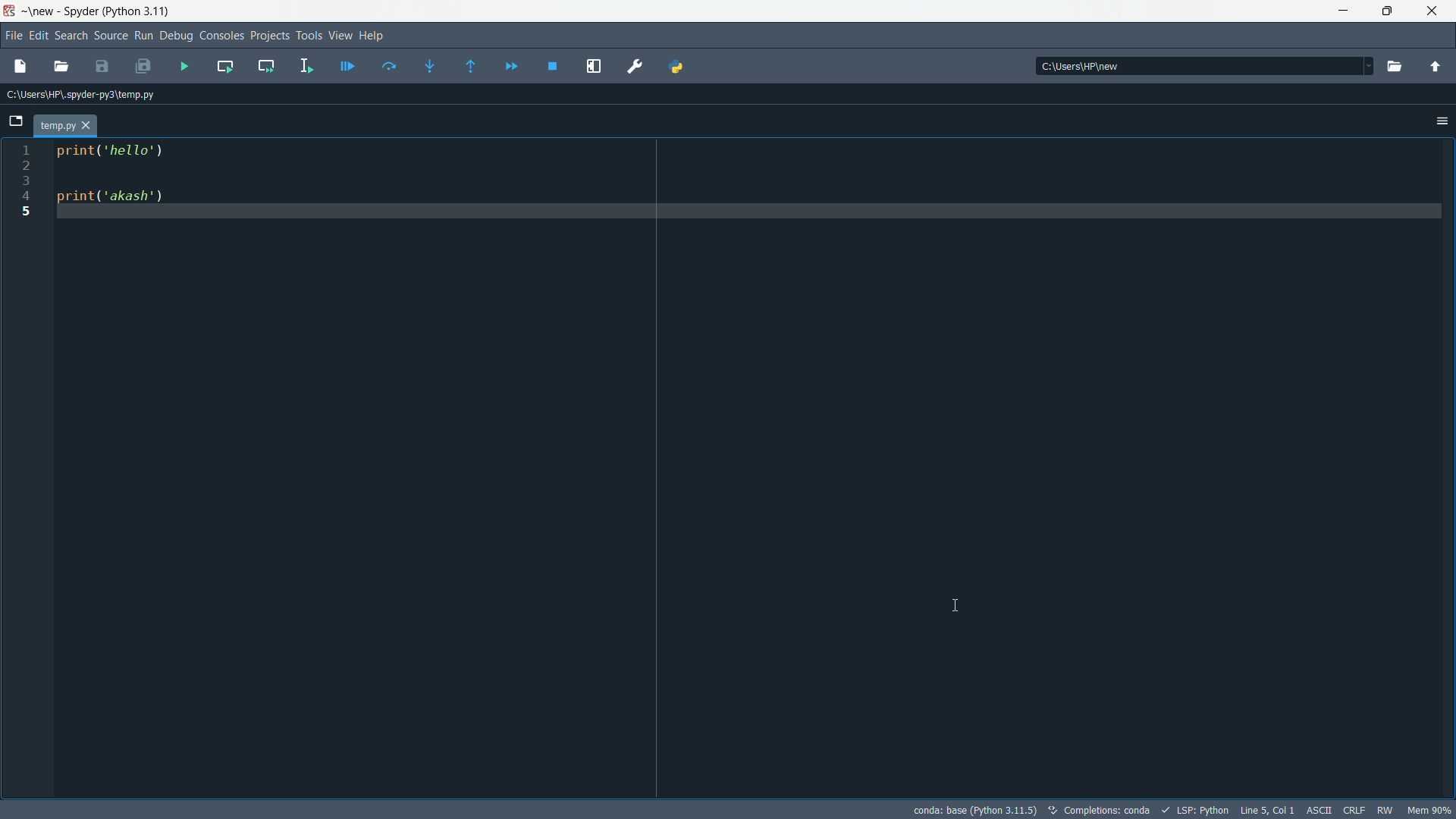 The width and height of the screenshot is (1456, 819). What do you see at coordinates (510, 67) in the screenshot?
I see `continue execution until next breakpoint` at bounding box center [510, 67].